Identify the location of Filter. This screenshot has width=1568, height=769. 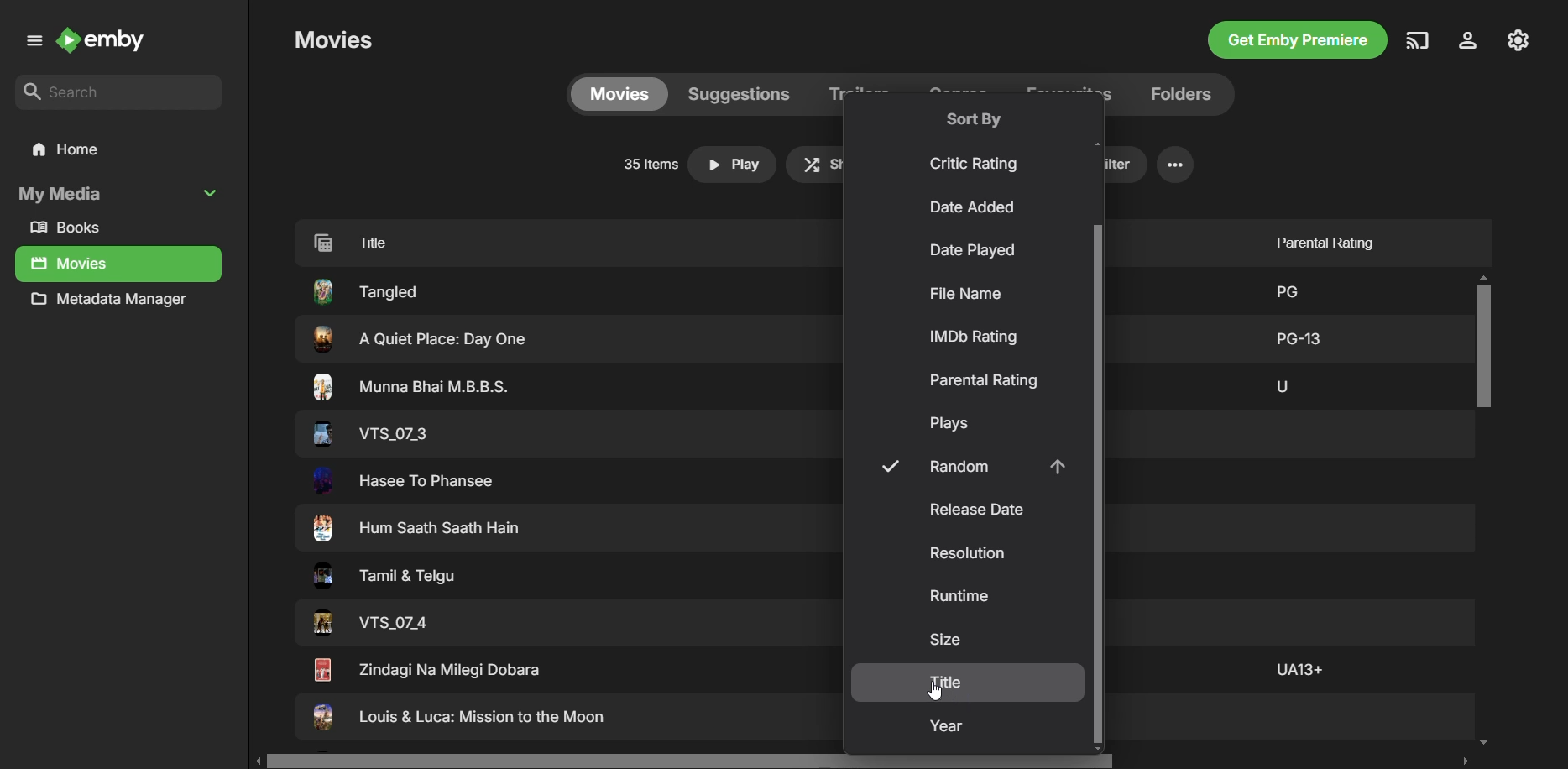
(1122, 165).